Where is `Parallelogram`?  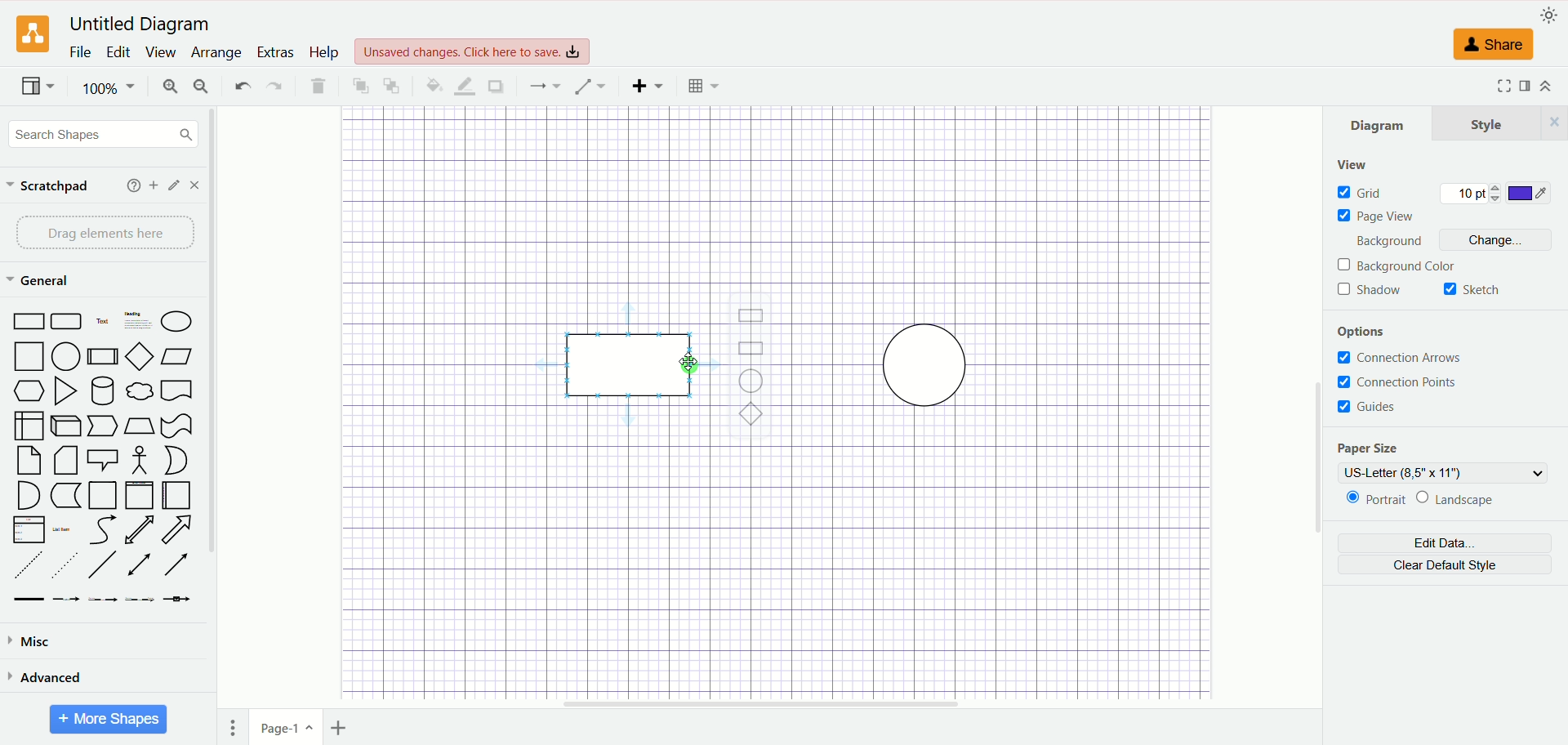 Parallelogram is located at coordinates (176, 356).